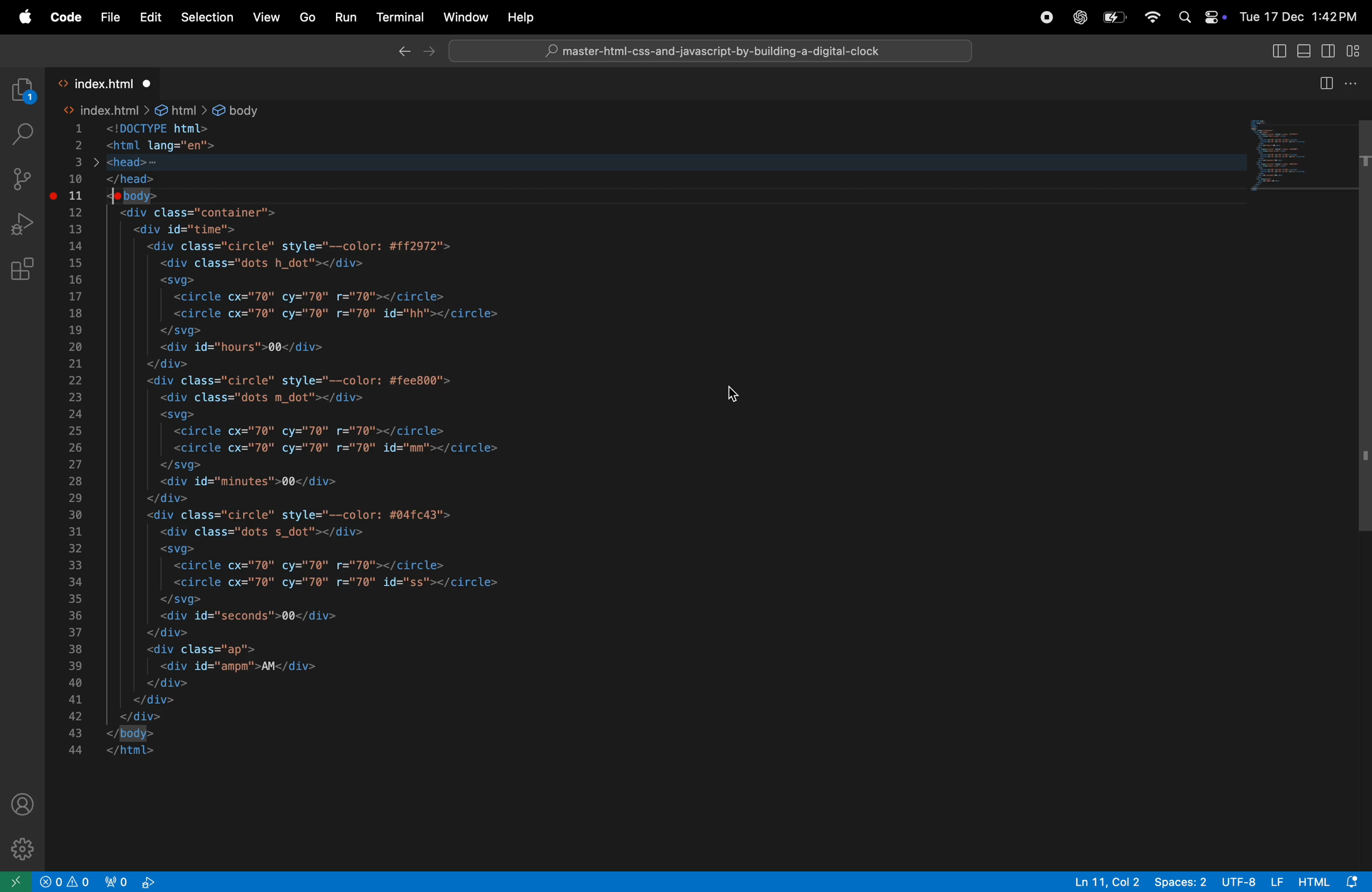  I want to click on view, so click(1281, 50).